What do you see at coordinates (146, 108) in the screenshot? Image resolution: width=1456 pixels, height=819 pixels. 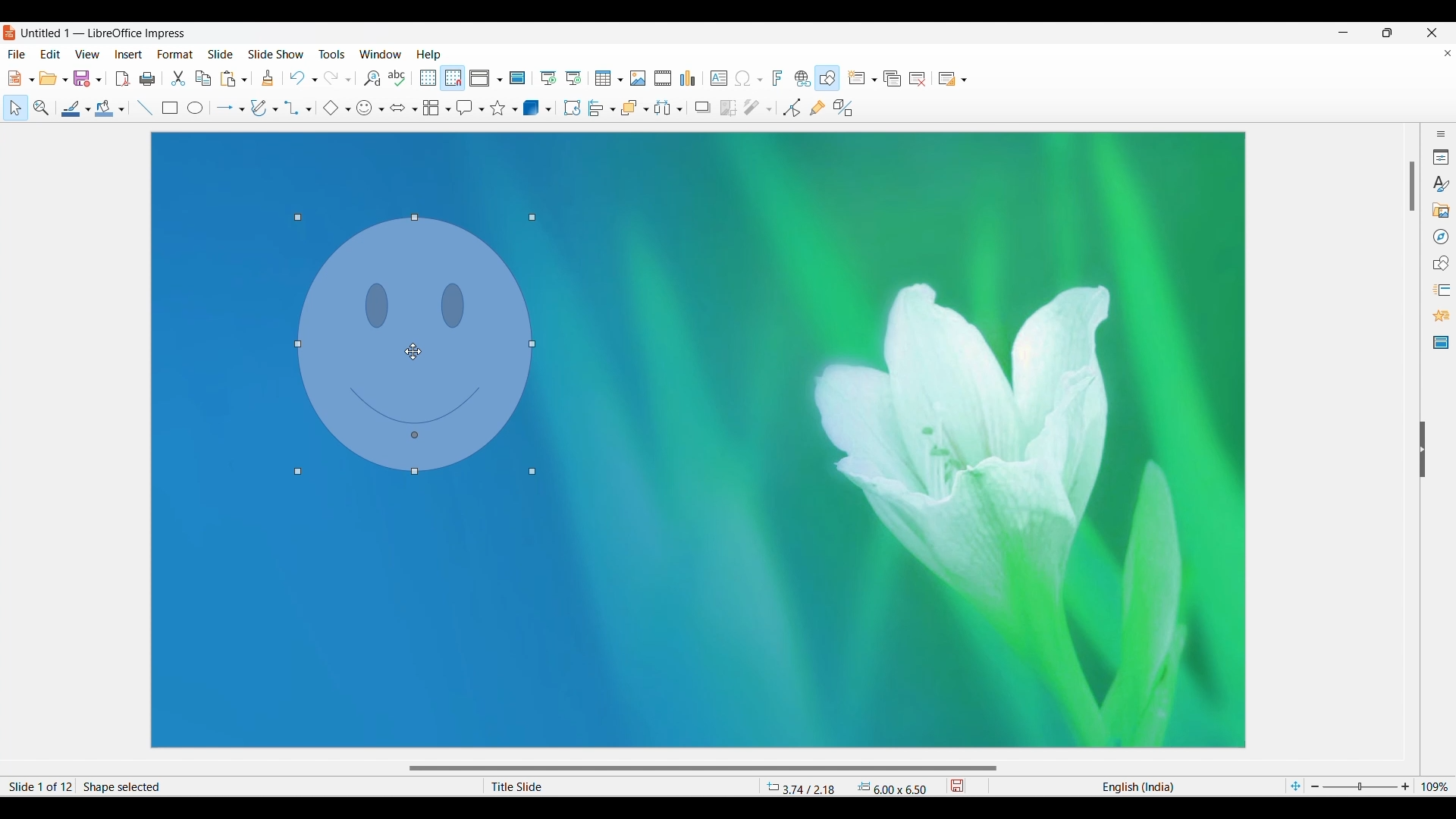 I see `Insert line` at bounding box center [146, 108].